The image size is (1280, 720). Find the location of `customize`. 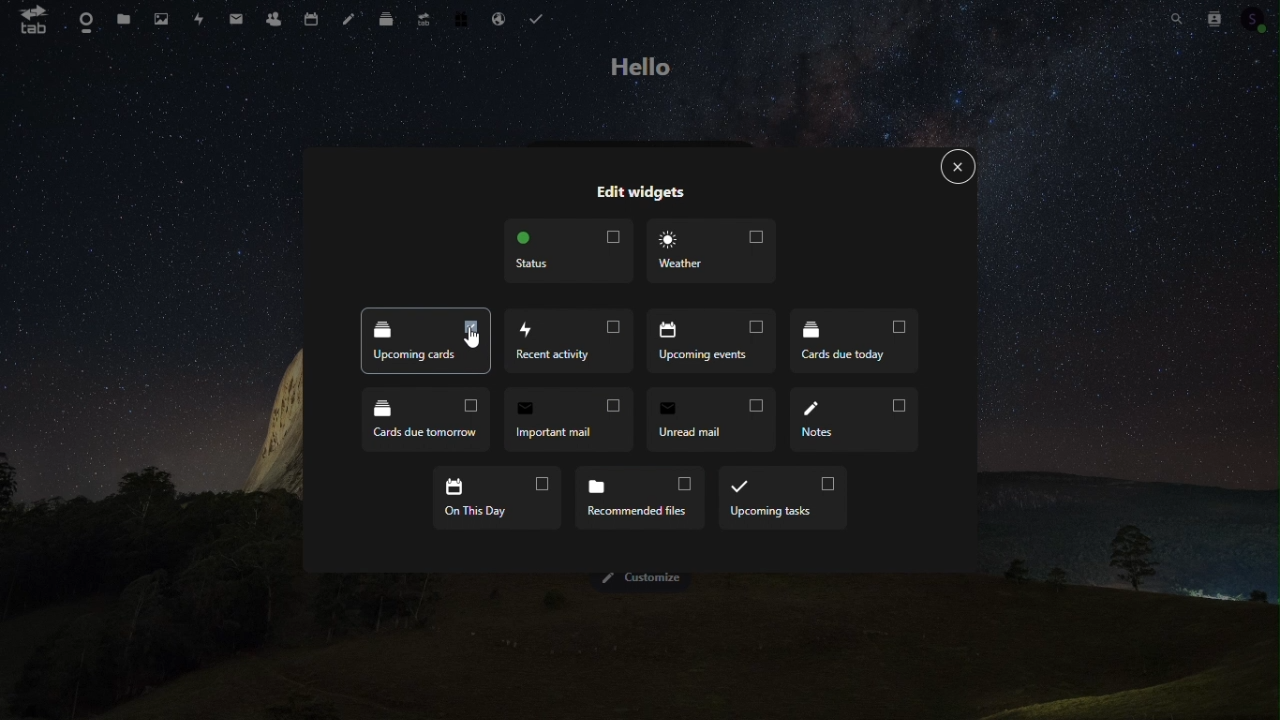

customize is located at coordinates (648, 578).